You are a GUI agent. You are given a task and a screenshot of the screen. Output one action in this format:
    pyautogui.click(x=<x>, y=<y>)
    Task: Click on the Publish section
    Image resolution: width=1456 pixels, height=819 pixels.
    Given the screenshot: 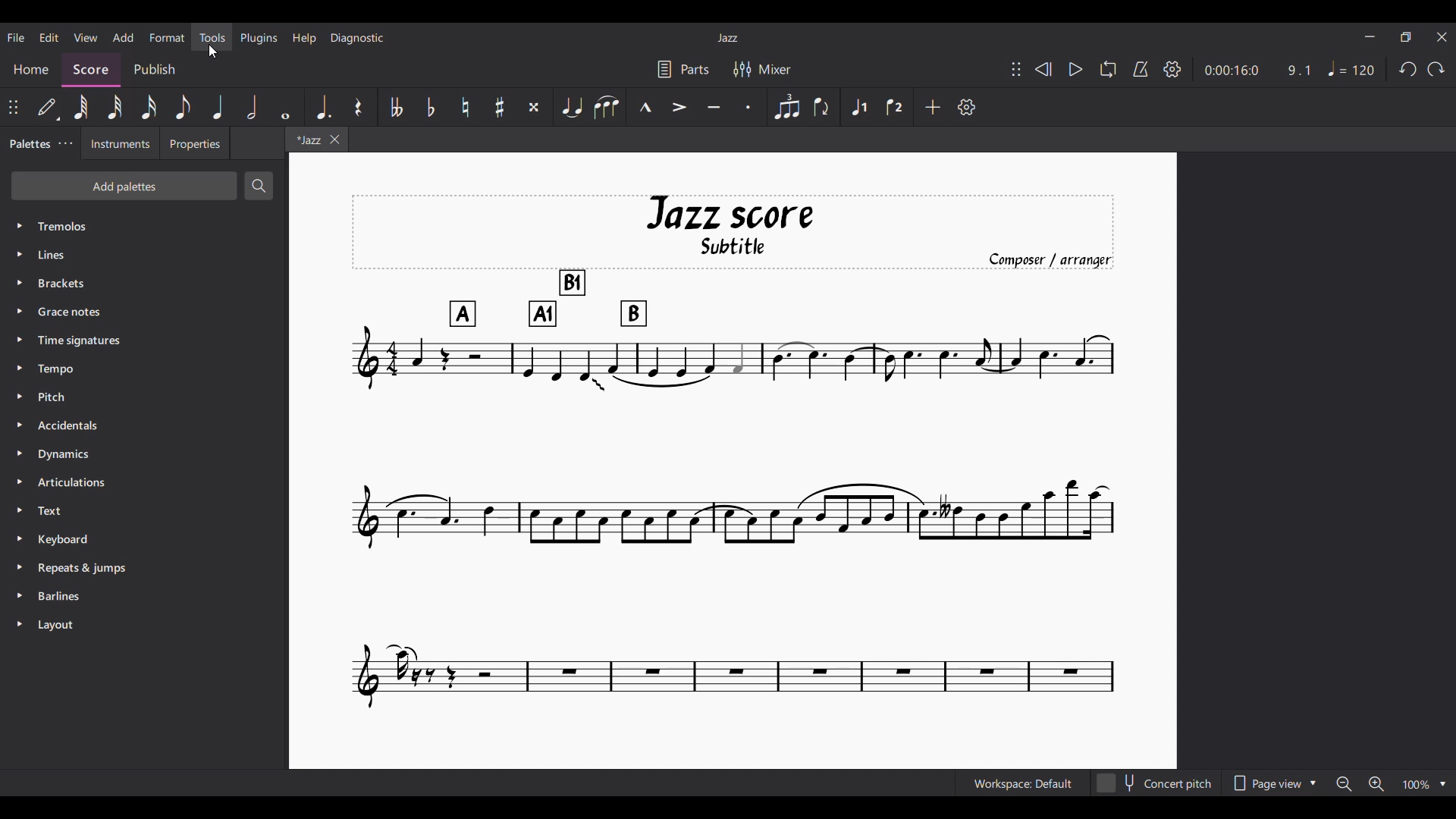 What is the action you would take?
    pyautogui.click(x=153, y=70)
    